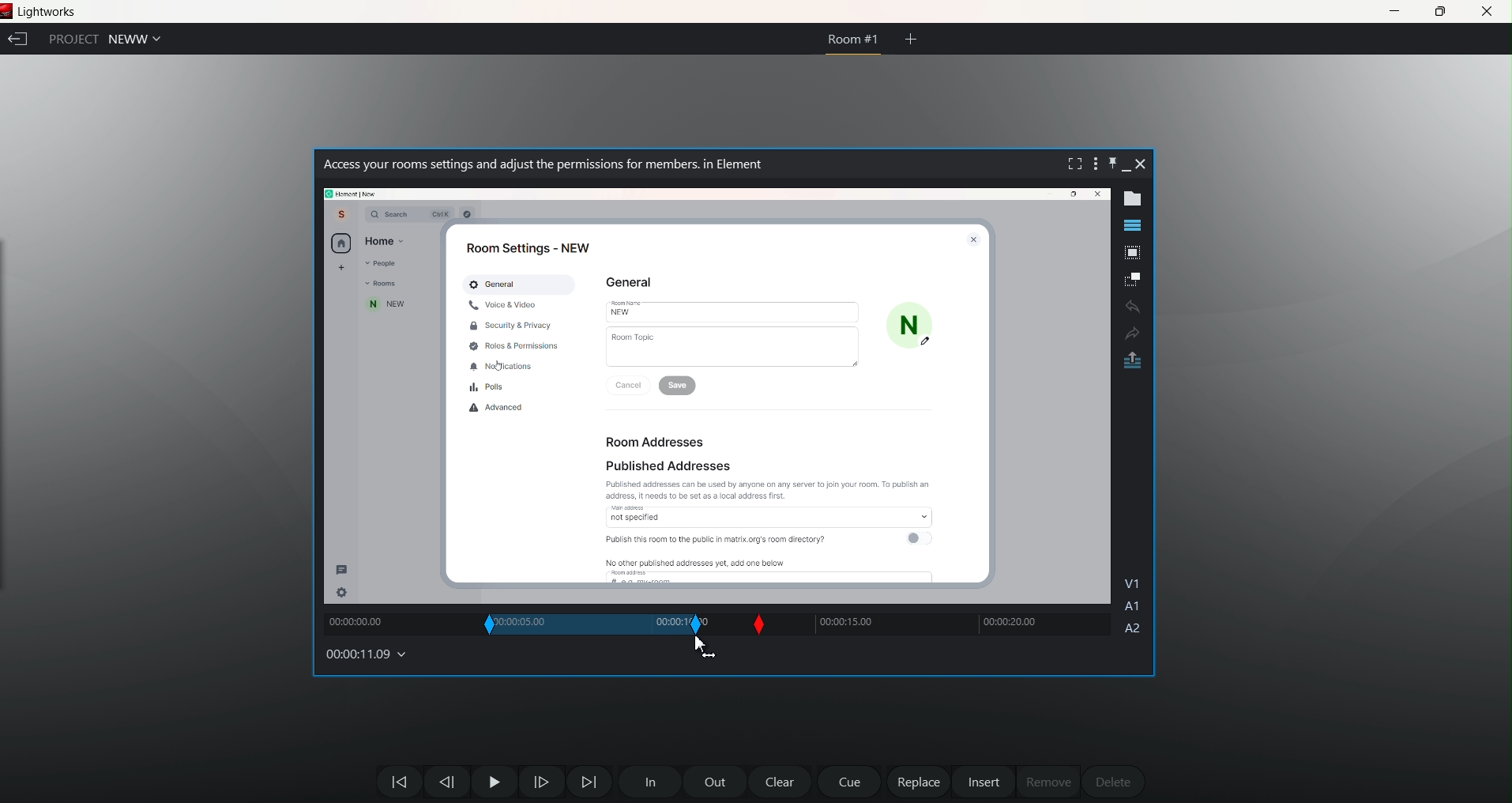 The height and width of the screenshot is (803, 1512). Describe the element at coordinates (373, 655) in the screenshot. I see `00:00:11.09 (timecodes and reels)` at that location.